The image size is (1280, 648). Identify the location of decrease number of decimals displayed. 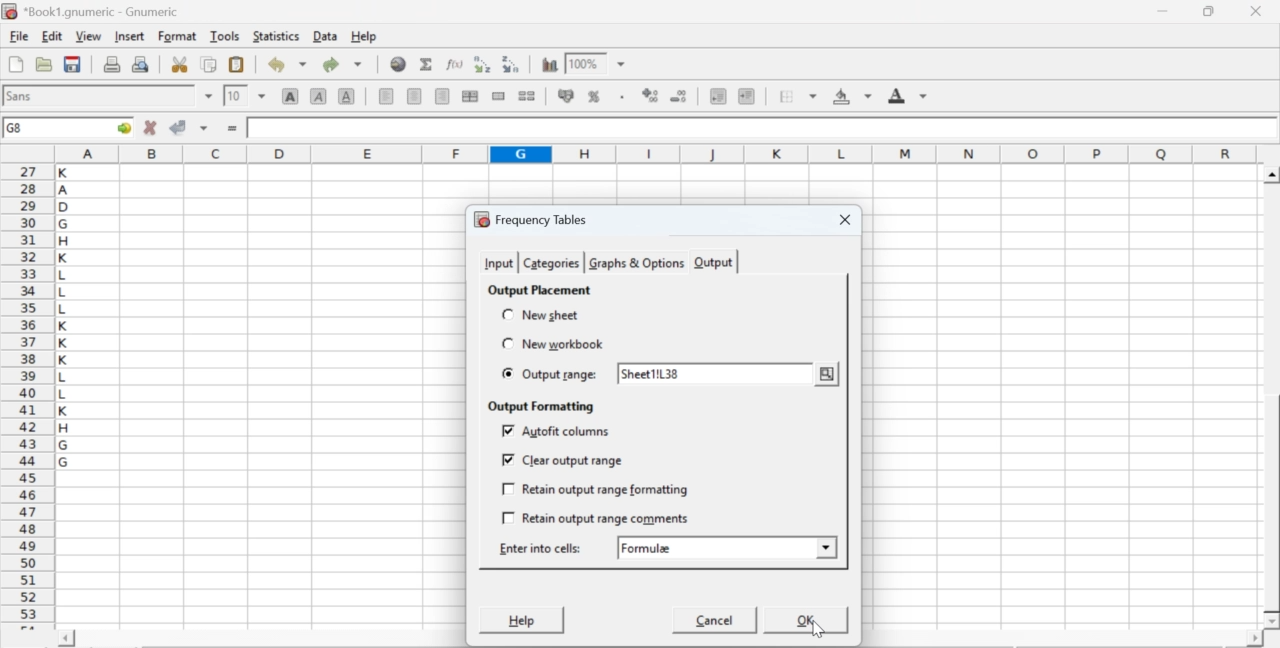
(678, 97).